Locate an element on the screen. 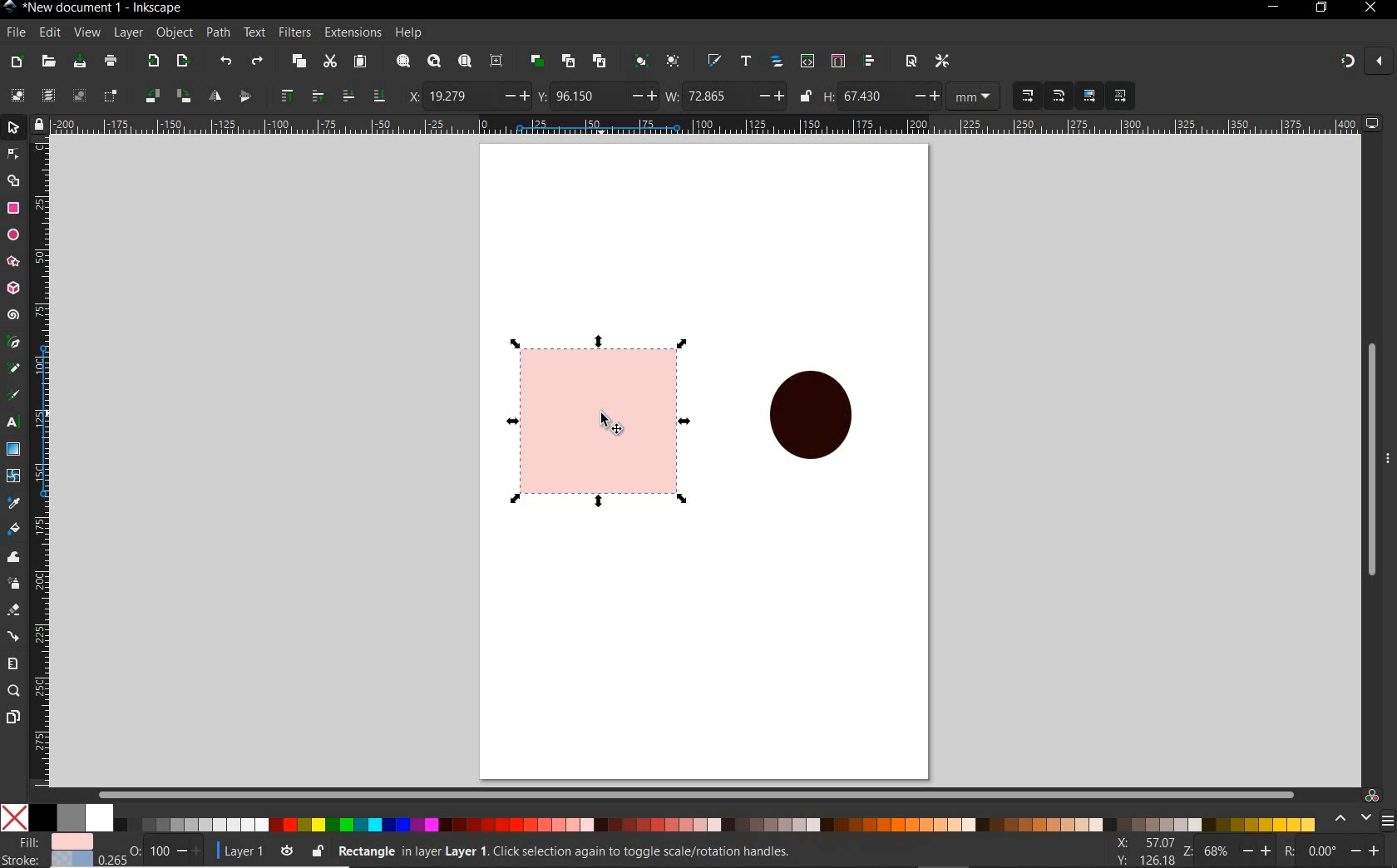 This screenshot has width=1397, height=868. open xml editor is located at coordinates (807, 62).